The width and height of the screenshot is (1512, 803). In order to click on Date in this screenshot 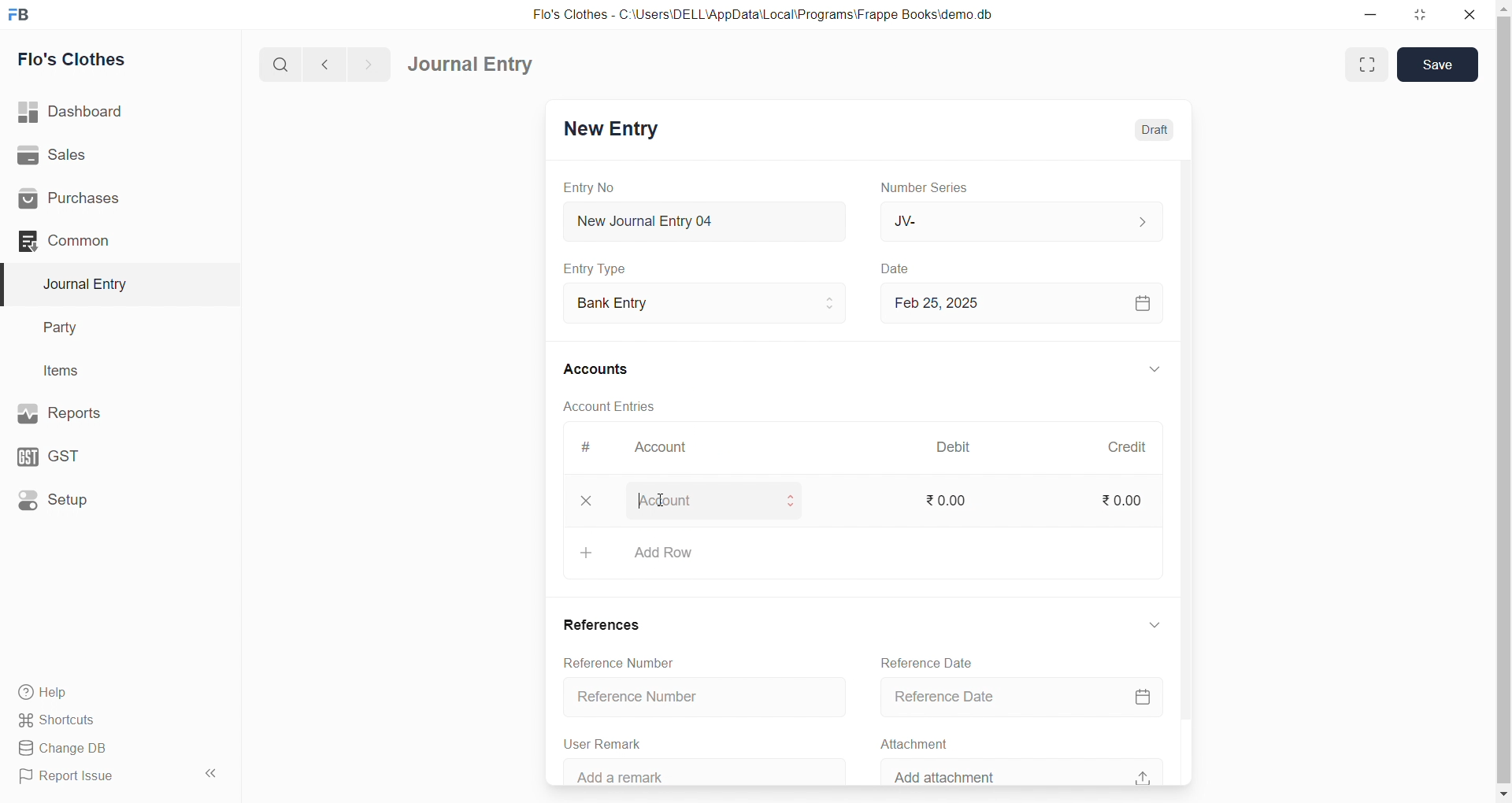, I will do `click(906, 269)`.